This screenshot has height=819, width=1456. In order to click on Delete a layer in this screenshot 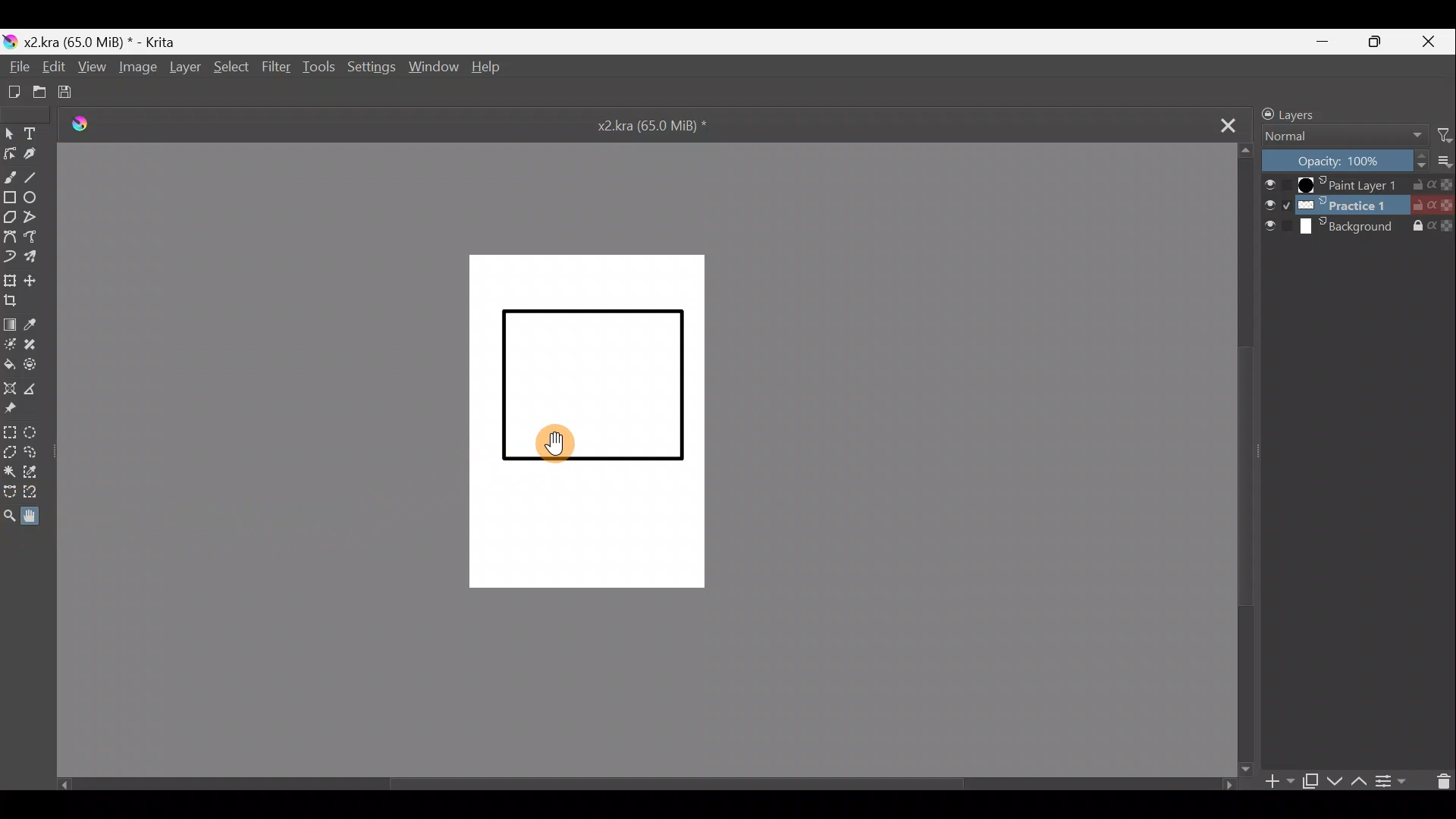, I will do `click(1439, 780)`.